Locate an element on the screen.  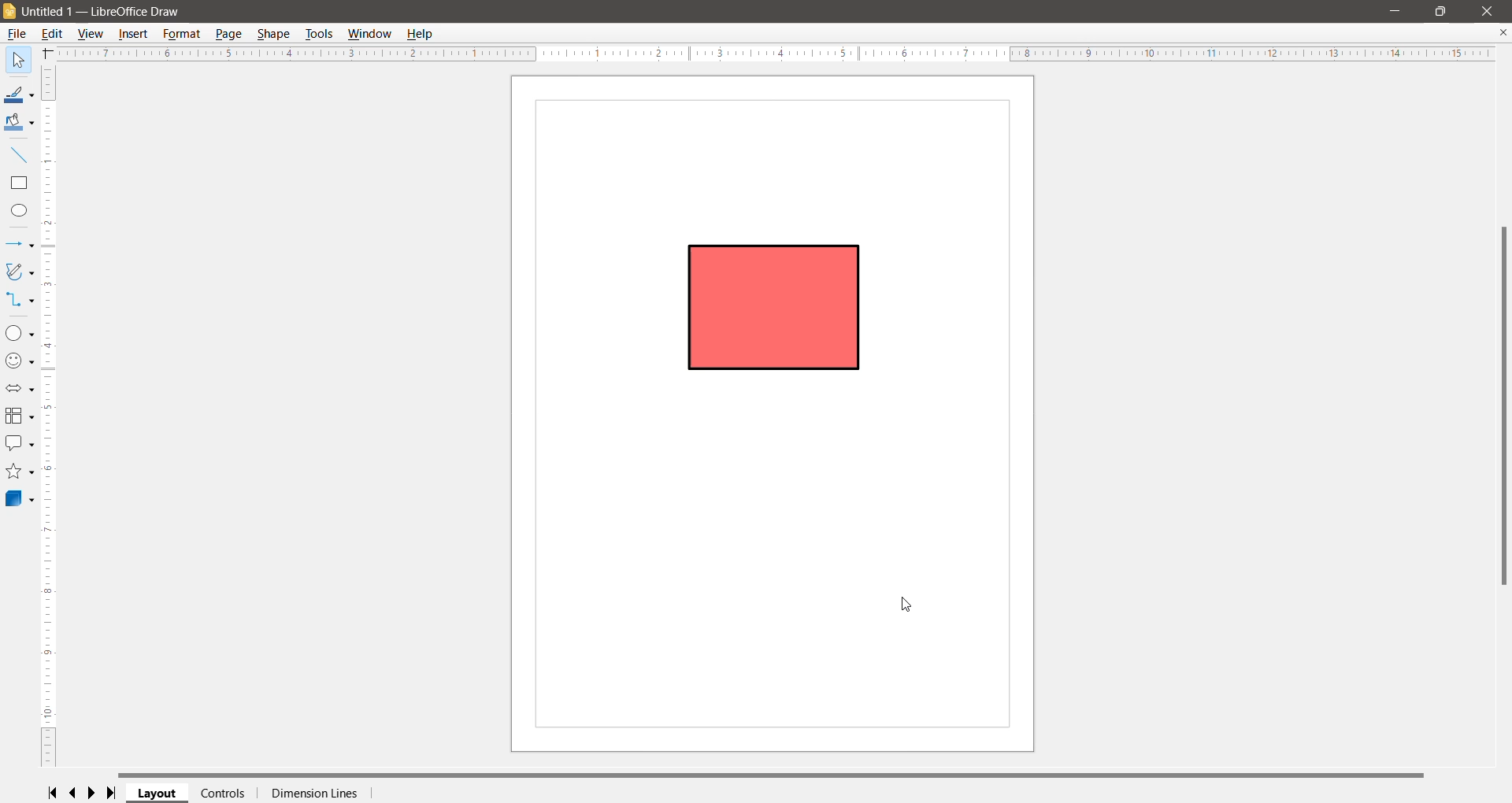
Rectangle is located at coordinates (19, 183).